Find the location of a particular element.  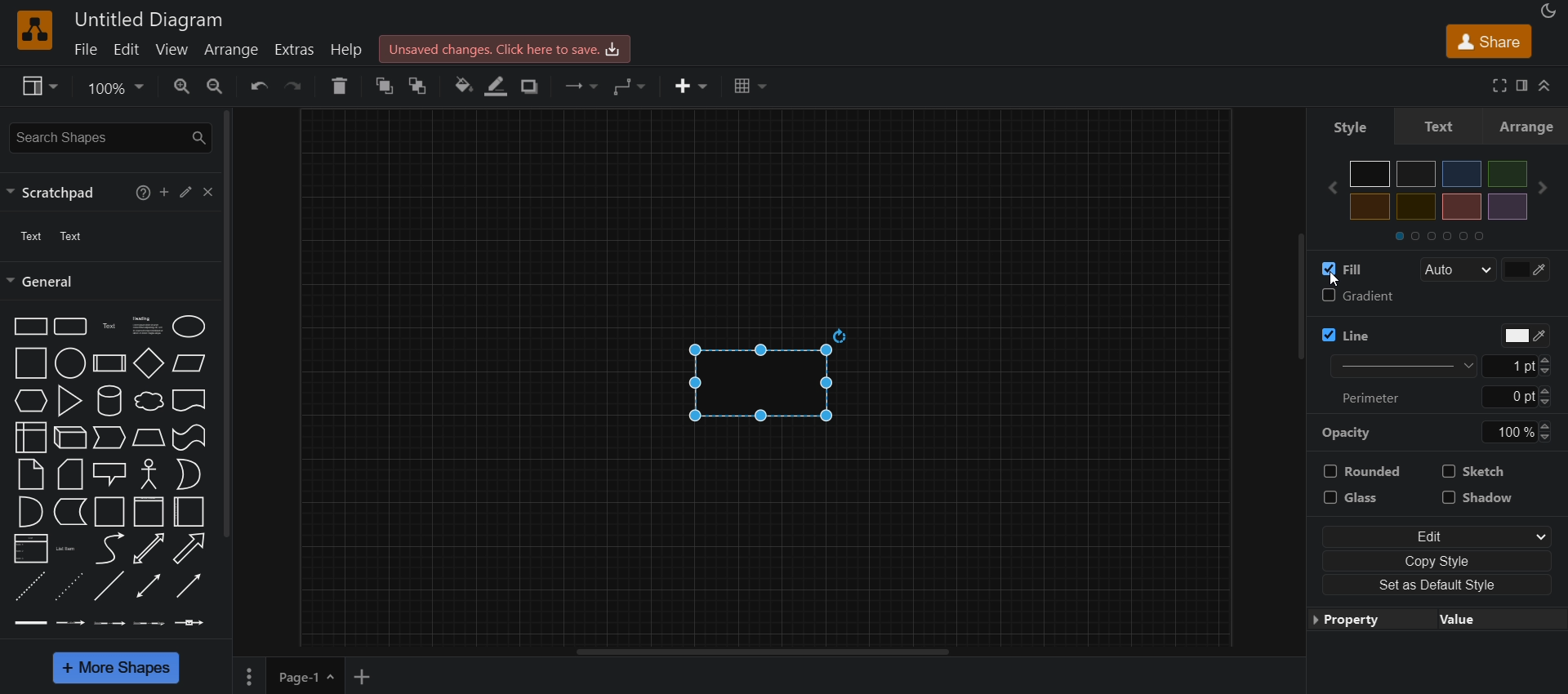

Collapse is located at coordinates (1547, 86).